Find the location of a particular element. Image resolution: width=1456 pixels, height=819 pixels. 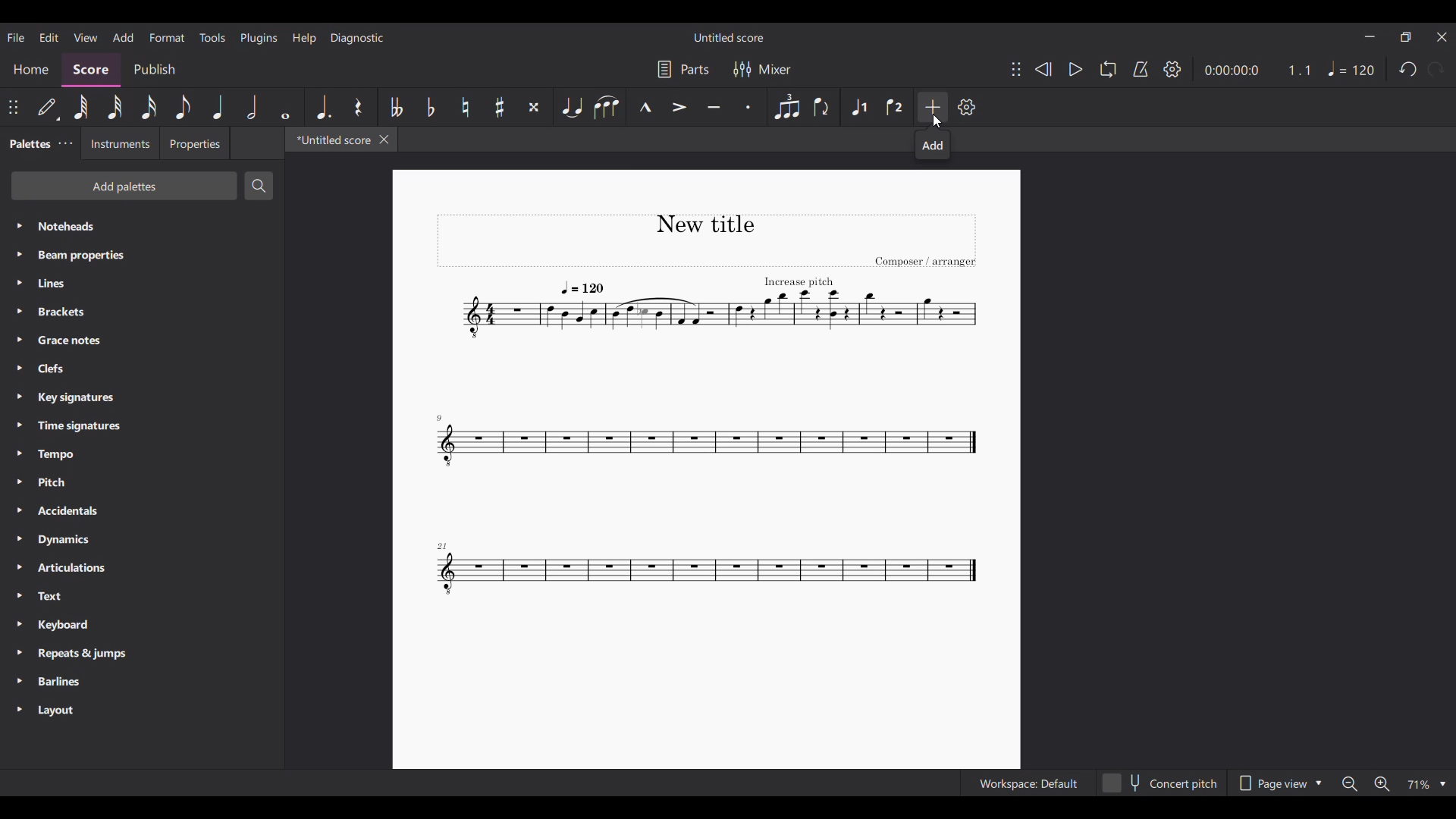

Show in smaller tab is located at coordinates (1405, 37).